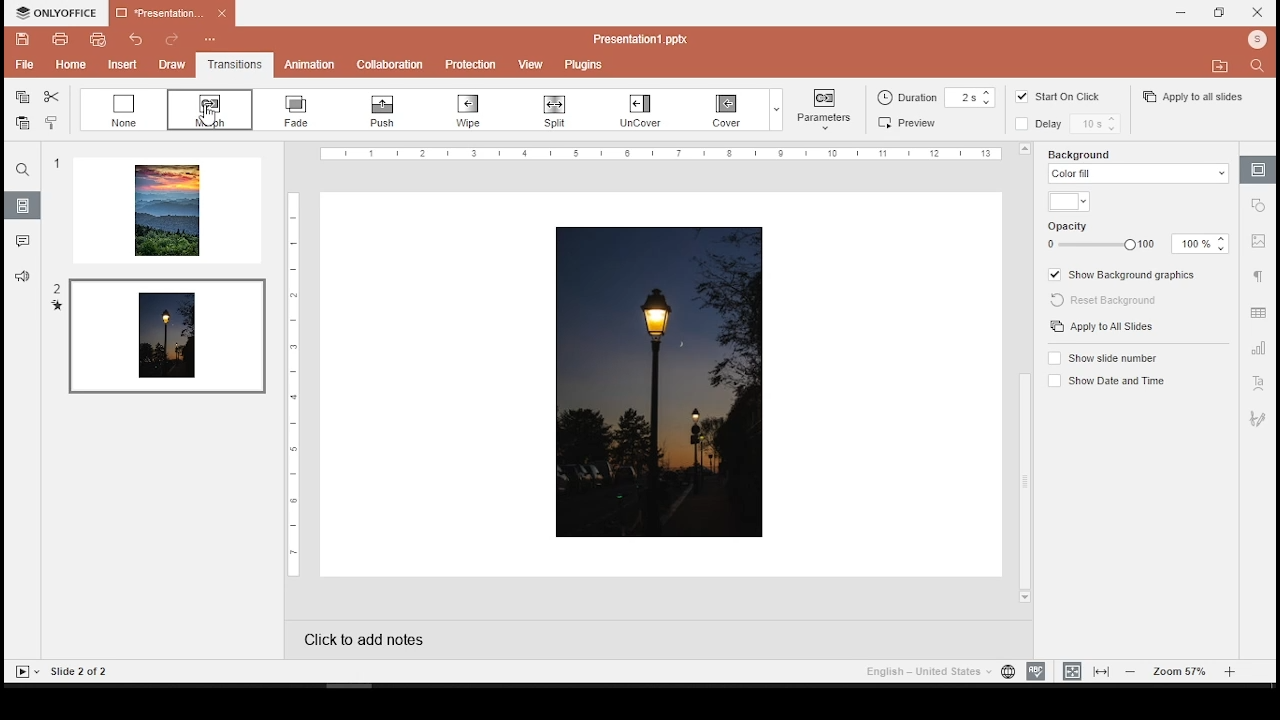  What do you see at coordinates (479, 111) in the screenshot?
I see `numbering` at bounding box center [479, 111].